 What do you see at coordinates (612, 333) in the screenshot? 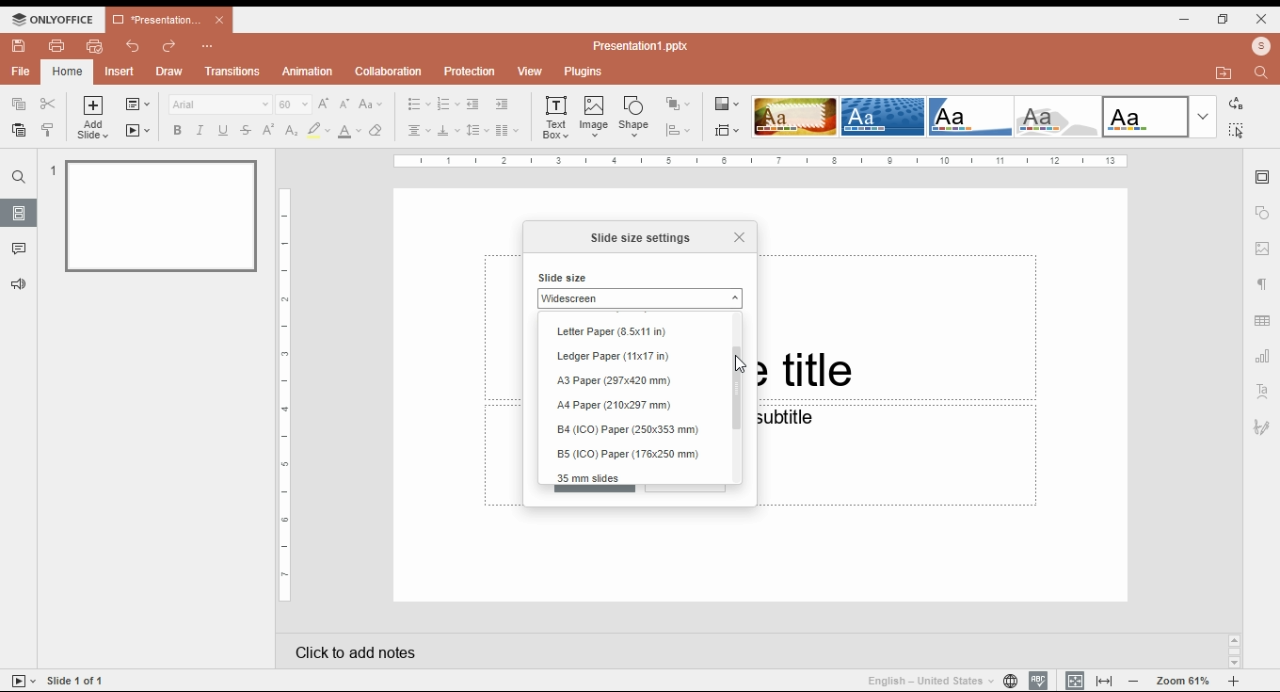
I see `Letter Paper (8.5x11 in)` at bounding box center [612, 333].